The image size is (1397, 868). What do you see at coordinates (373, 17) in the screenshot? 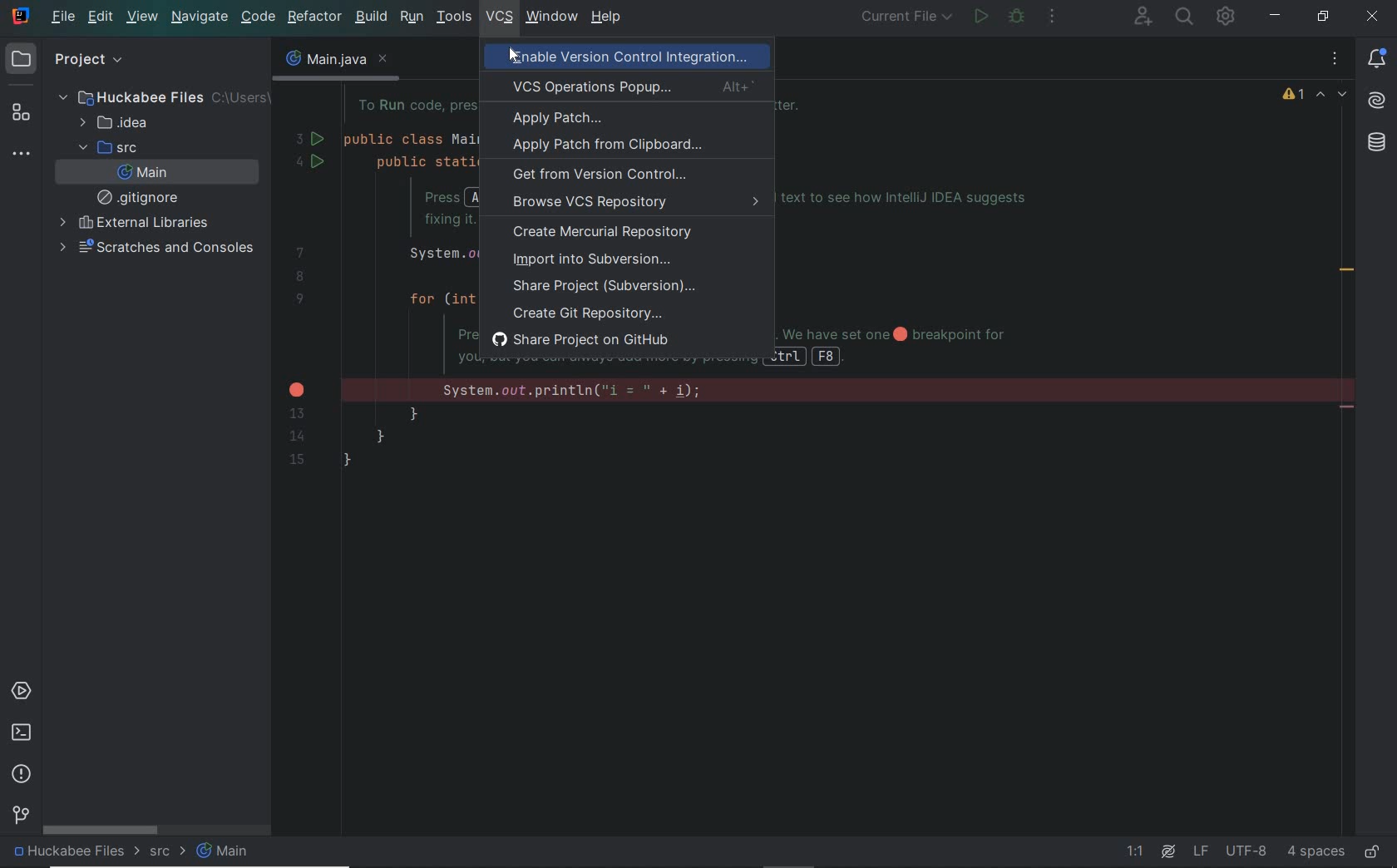
I see `build` at bounding box center [373, 17].